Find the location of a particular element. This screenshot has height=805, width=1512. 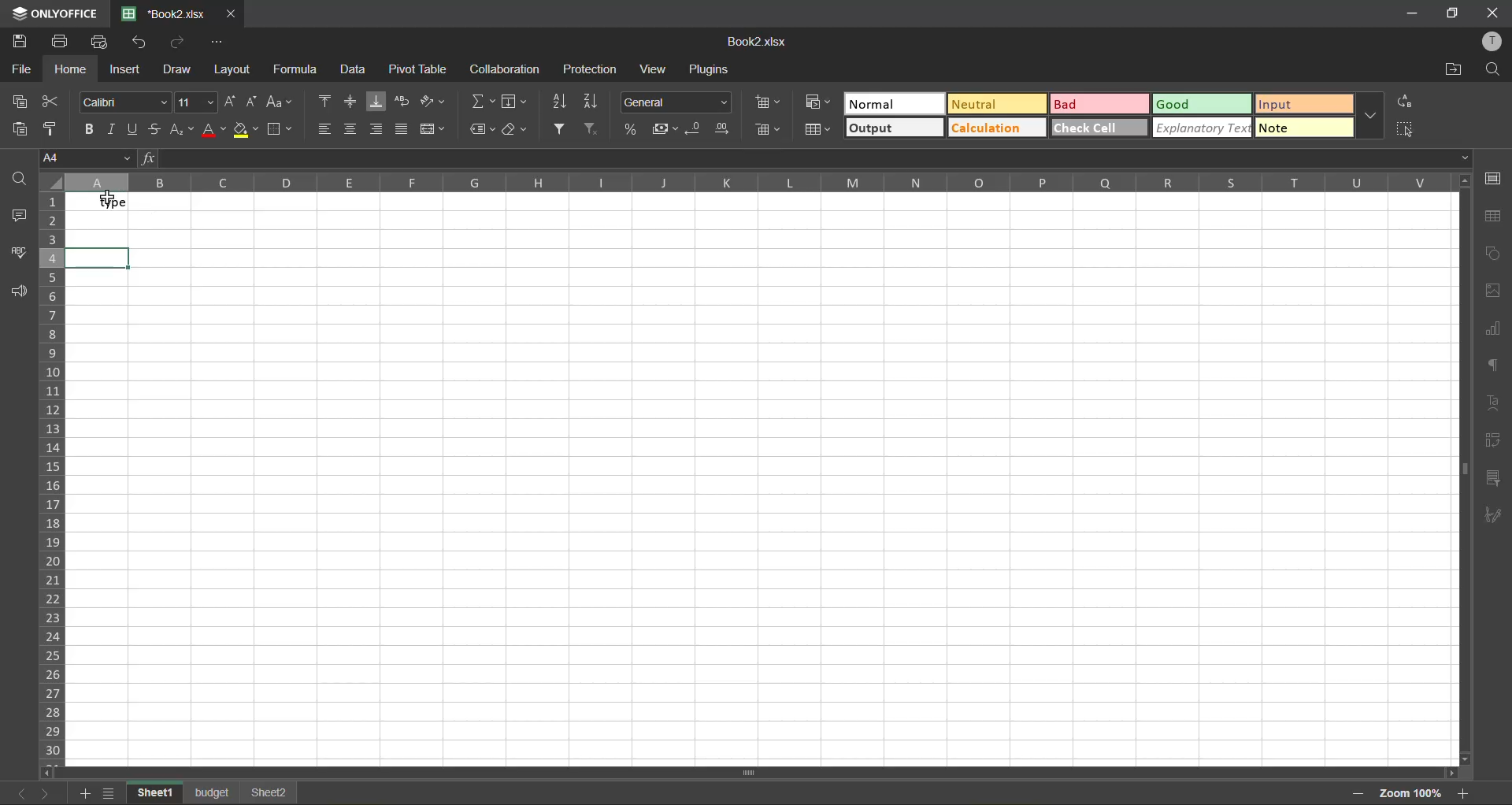

align center is located at coordinates (351, 130).